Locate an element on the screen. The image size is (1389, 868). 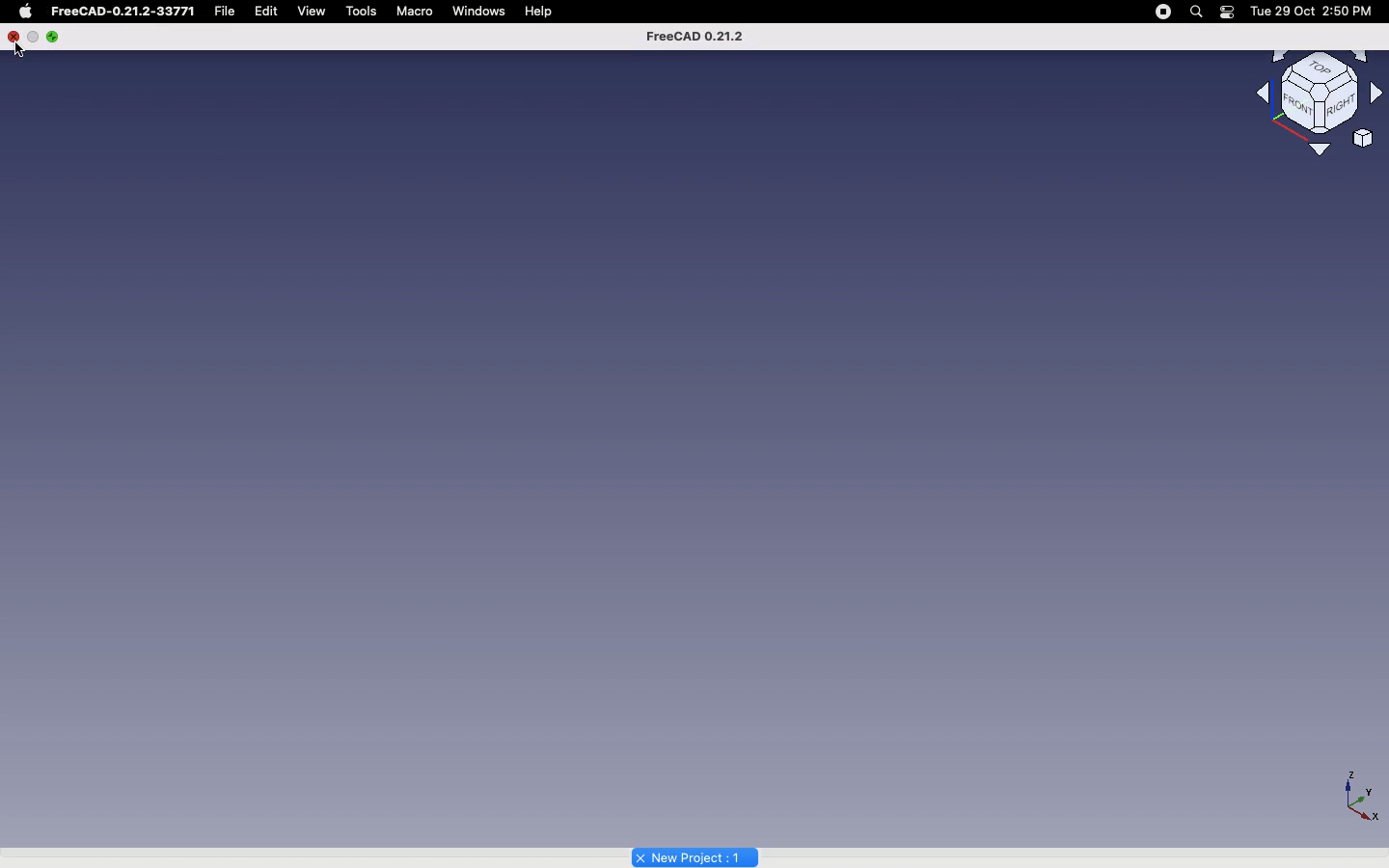
Help is located at coordinates (541, 12).